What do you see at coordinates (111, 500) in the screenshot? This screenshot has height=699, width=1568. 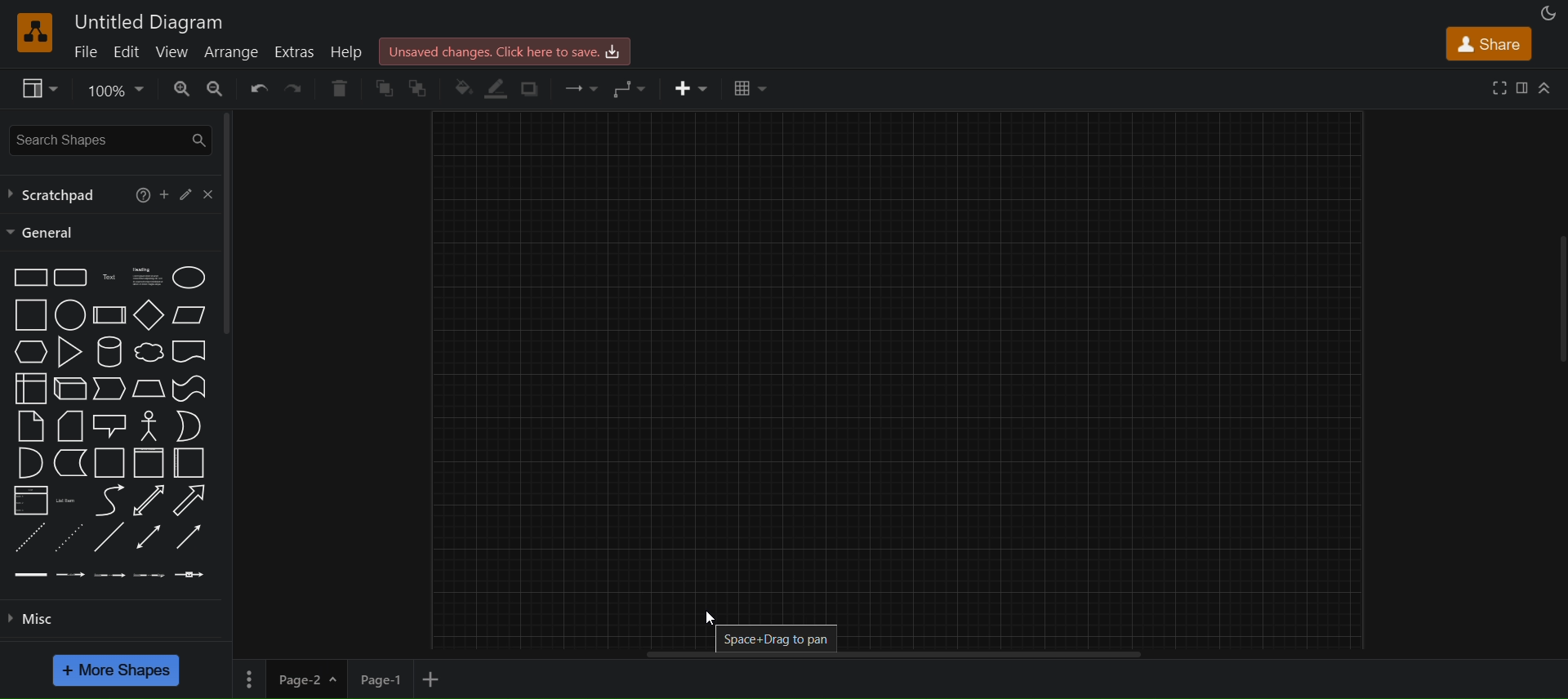 I see `curve` at bounding box center [111, 500].